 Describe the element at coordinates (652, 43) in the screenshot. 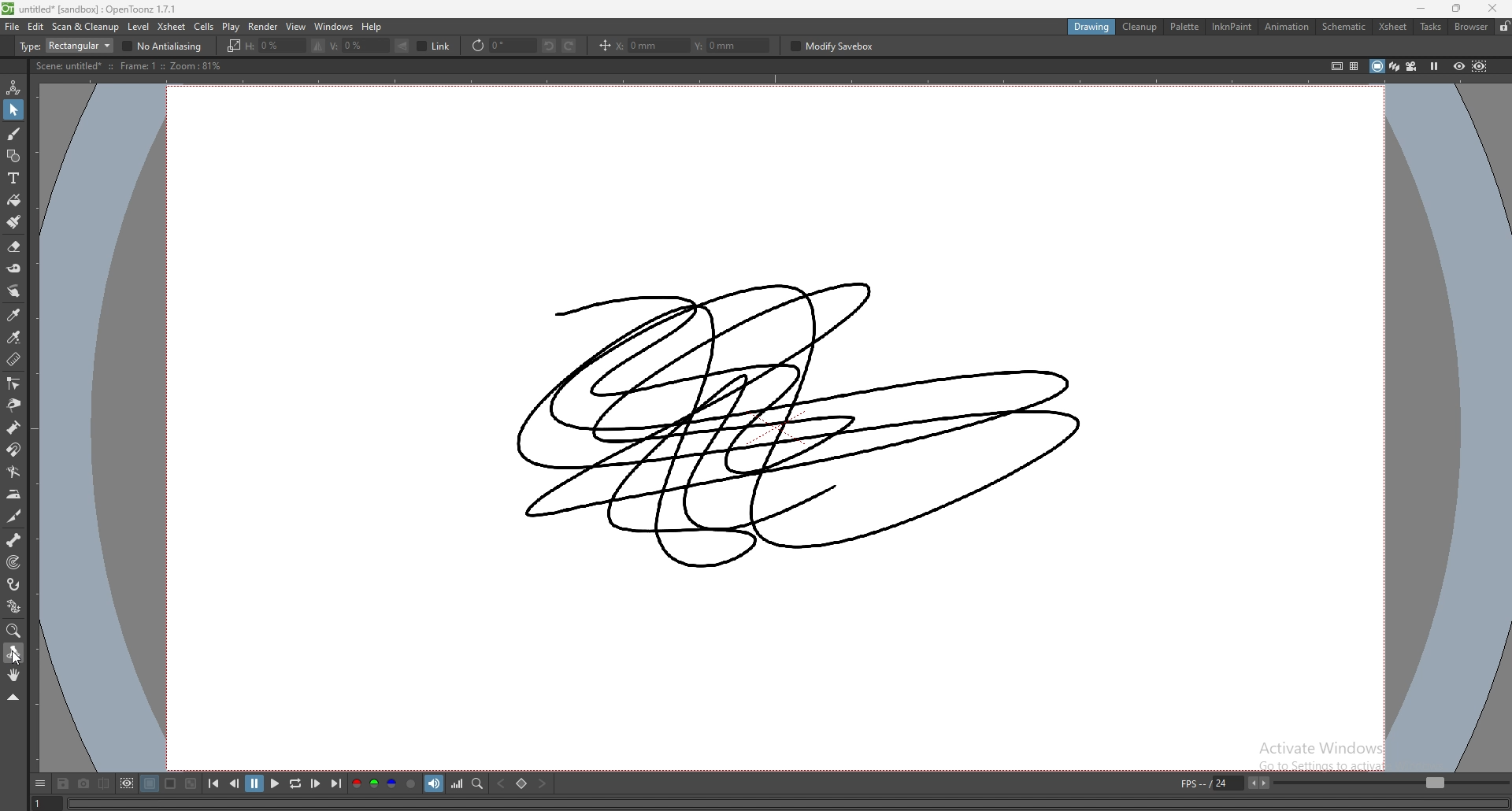

I see `x` at that location.